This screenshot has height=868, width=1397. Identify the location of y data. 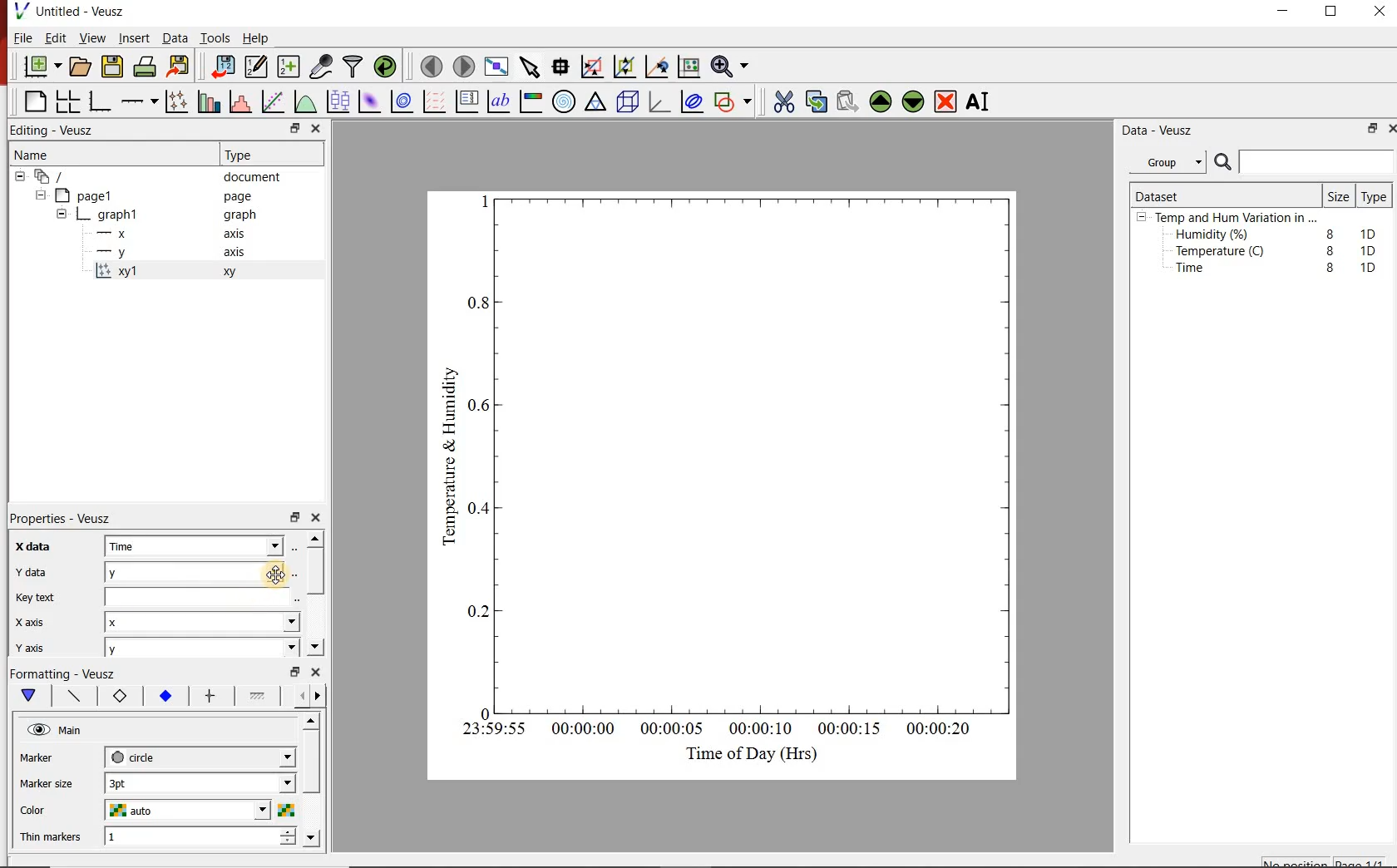
(37, 570).